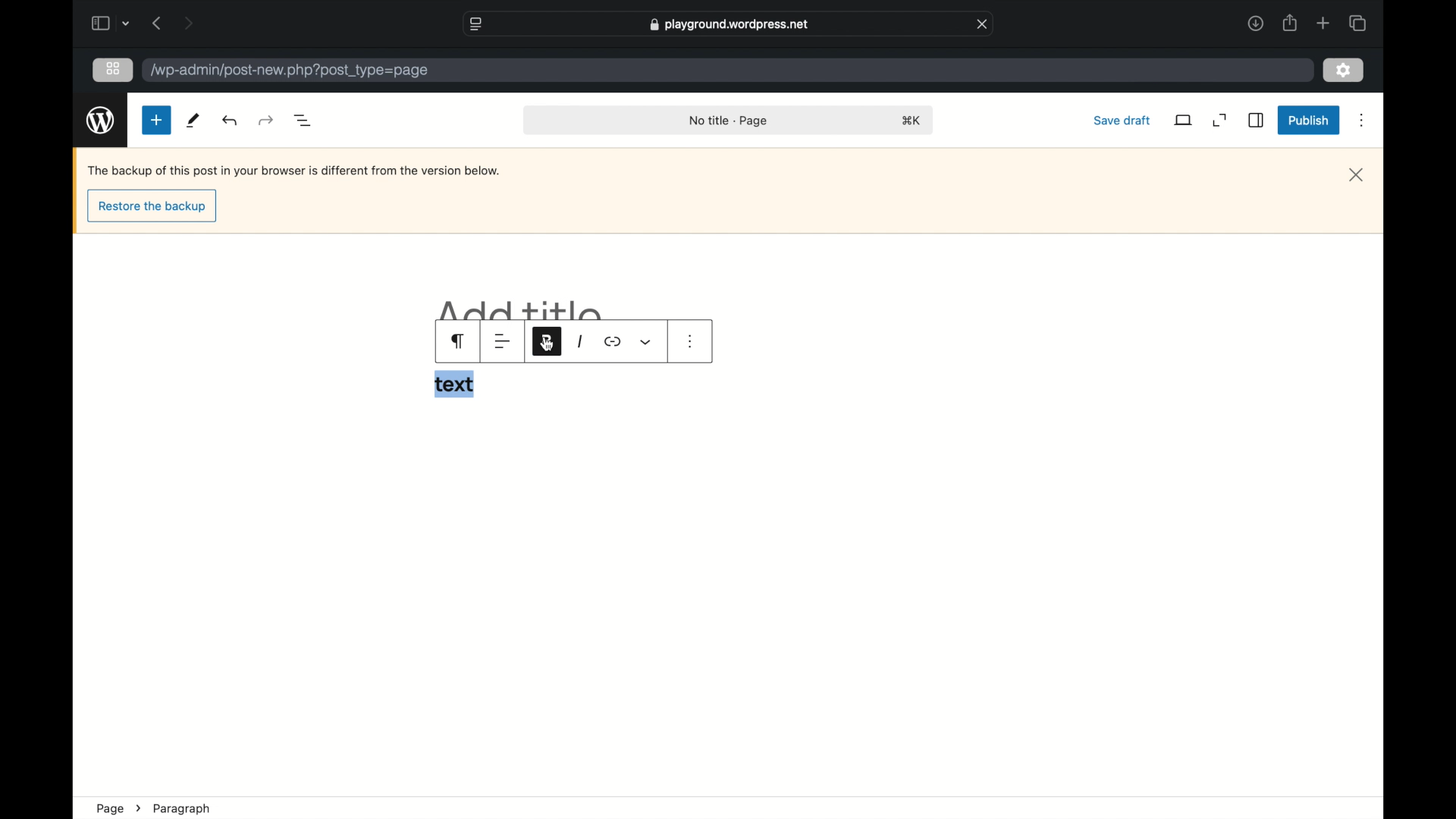 The image size is (1456, 819). I want to click on dropdown, so click(127, 24).